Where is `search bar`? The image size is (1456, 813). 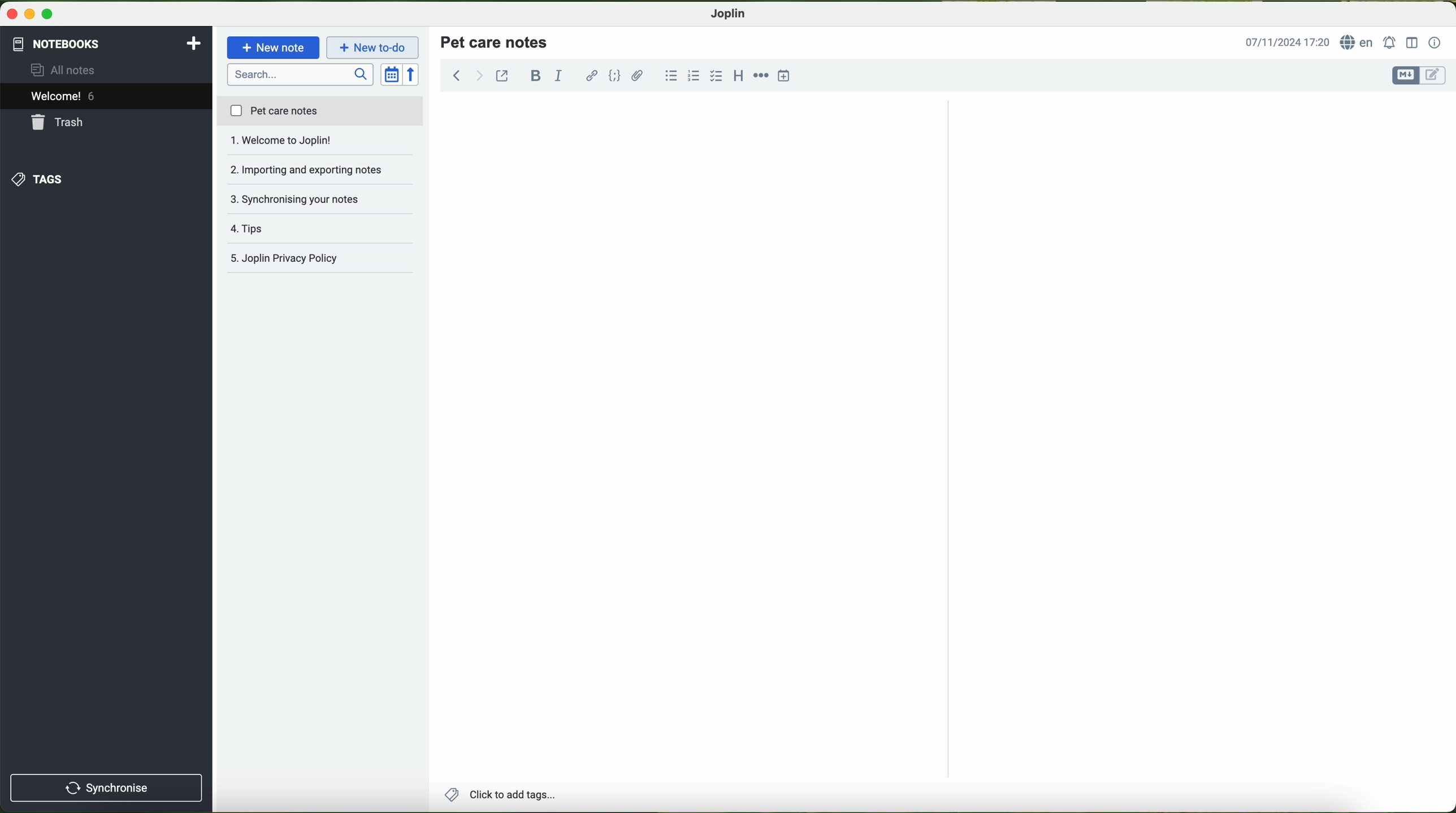 search bar is located at coordinates (302, 73).